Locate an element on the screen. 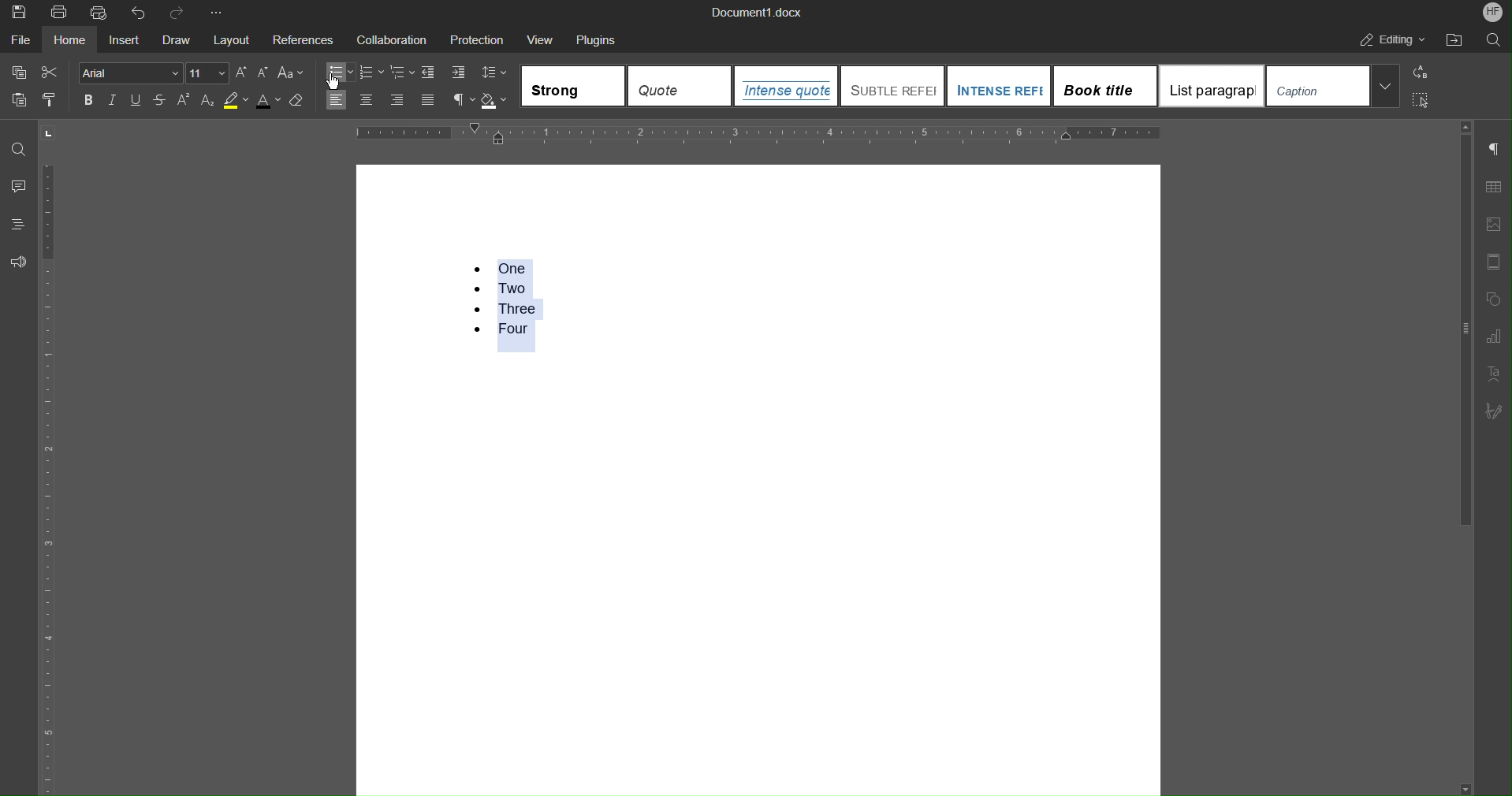 Image resolution: width=1512 pixels, height=796 pixels. Table is located at coordinates (1492, 187).